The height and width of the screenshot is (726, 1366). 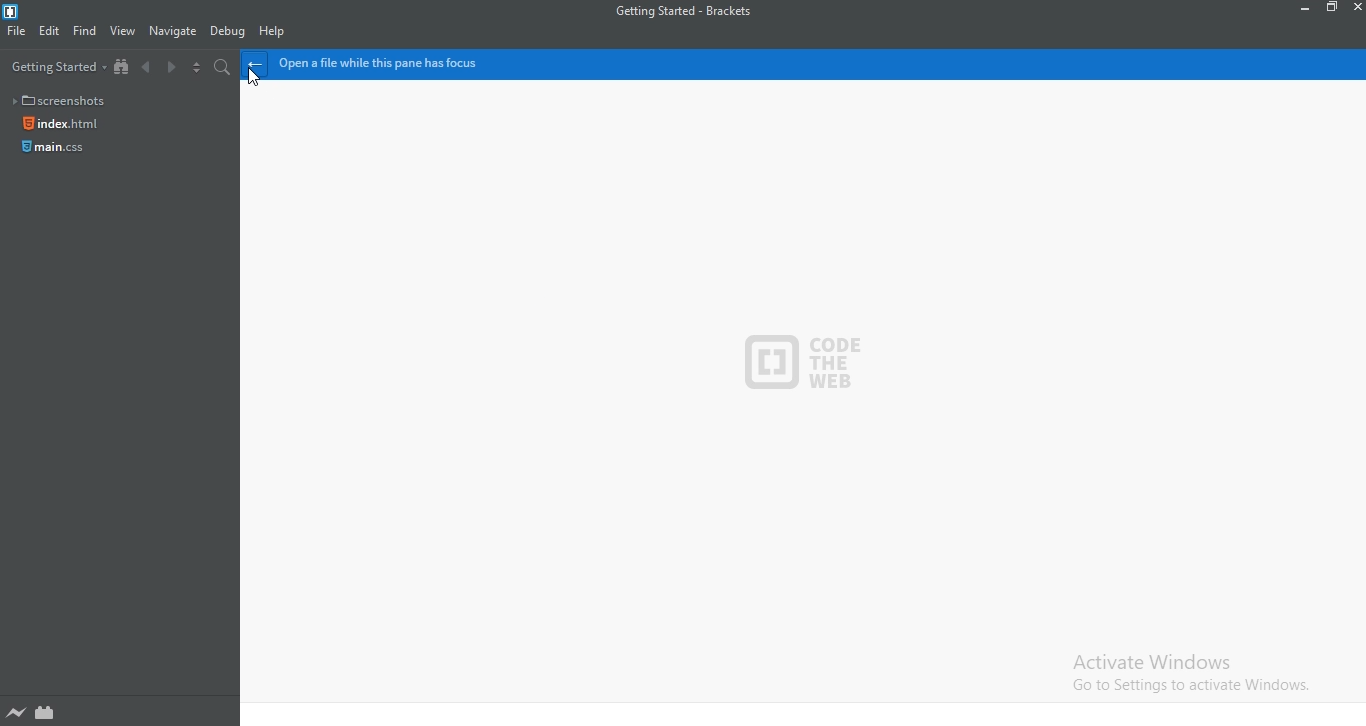 What do you see at coordinates (18, 713) in the screenshot?
I see `Live preview` at bounding box center [18, 713].